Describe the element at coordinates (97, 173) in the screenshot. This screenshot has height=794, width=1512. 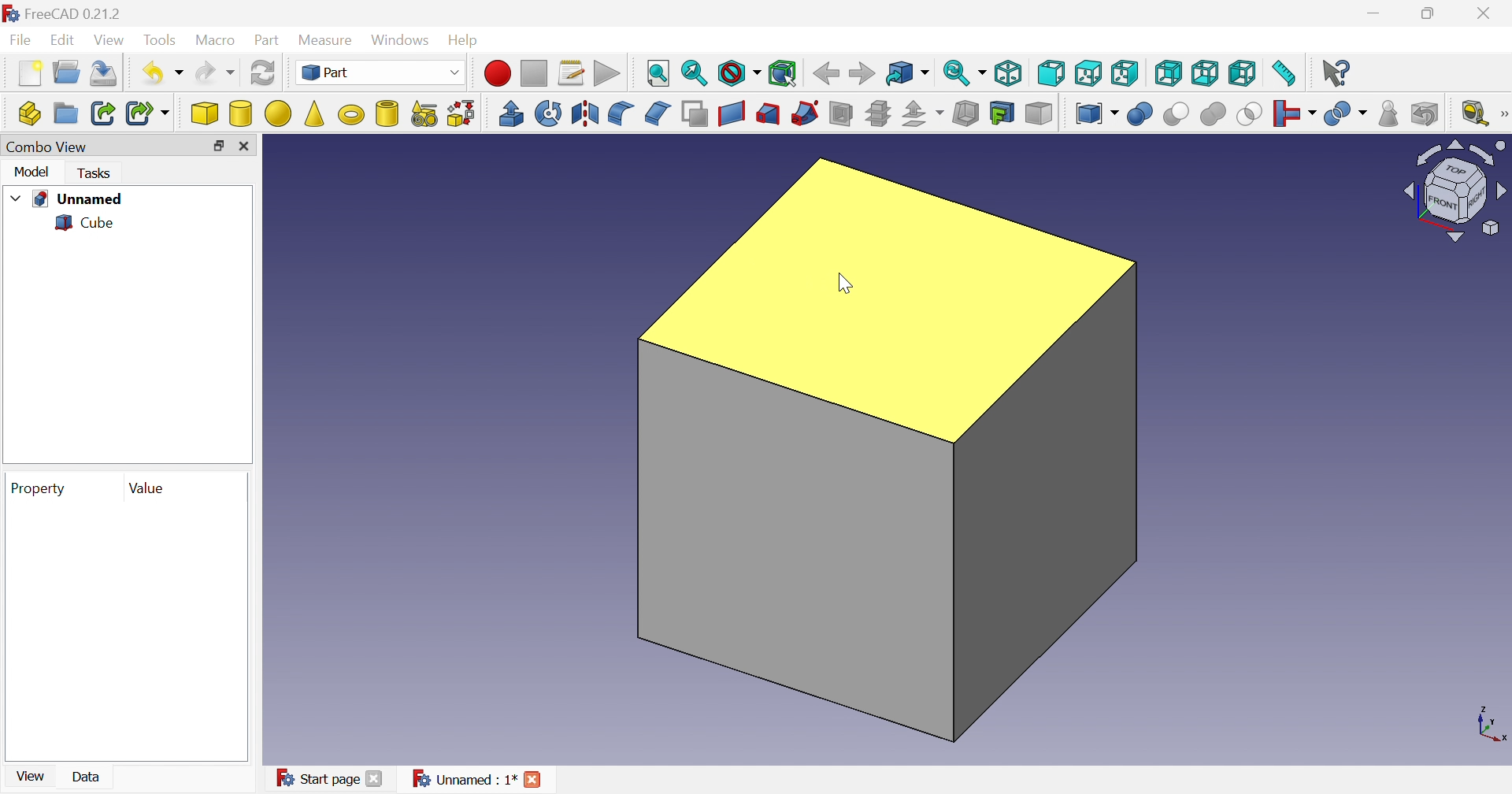
I see `Tasks` at that location.